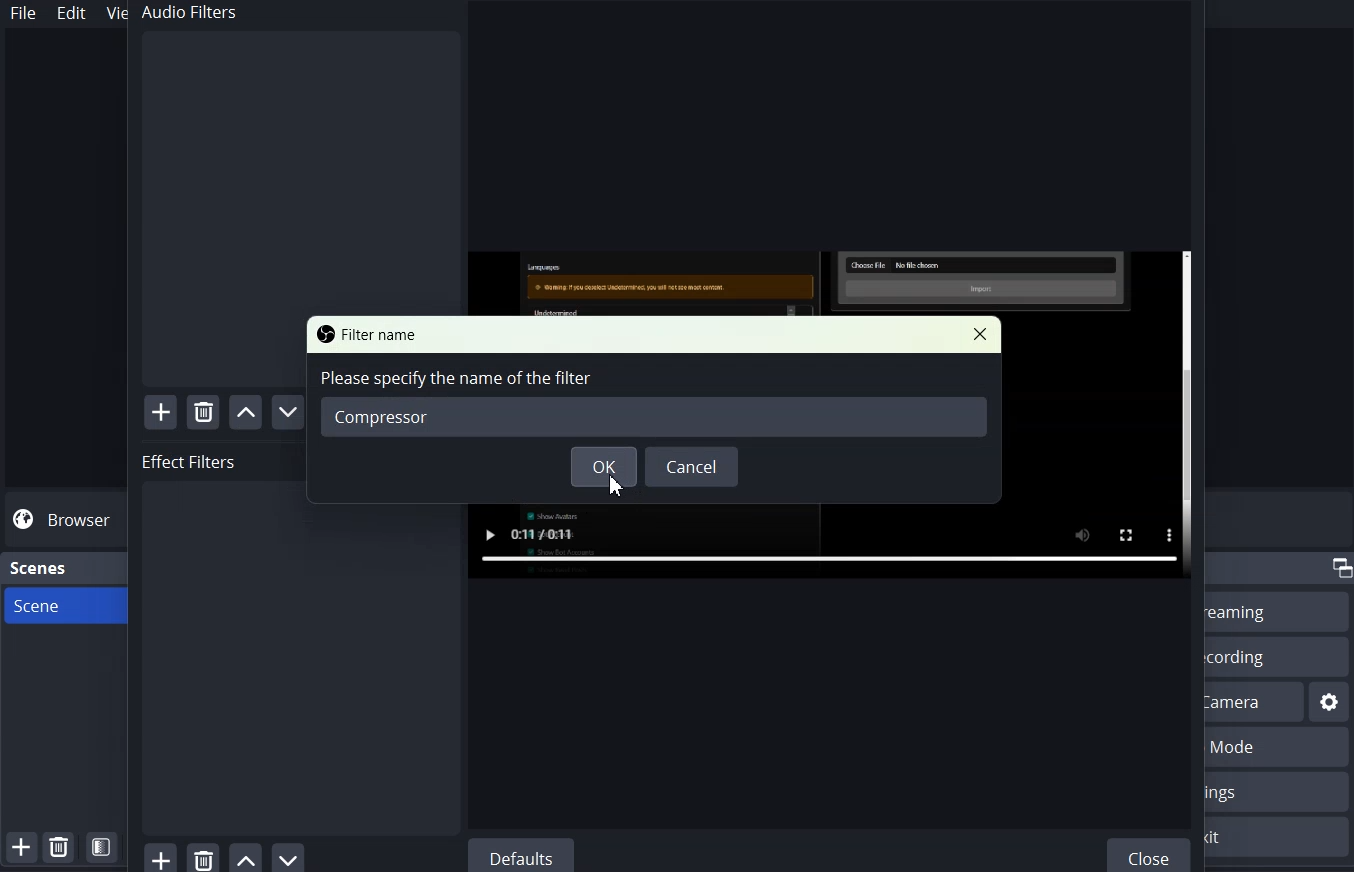  Describe the element at coordinates (246, 412) in the screenshot. I see `Move Filter Up` at that location.